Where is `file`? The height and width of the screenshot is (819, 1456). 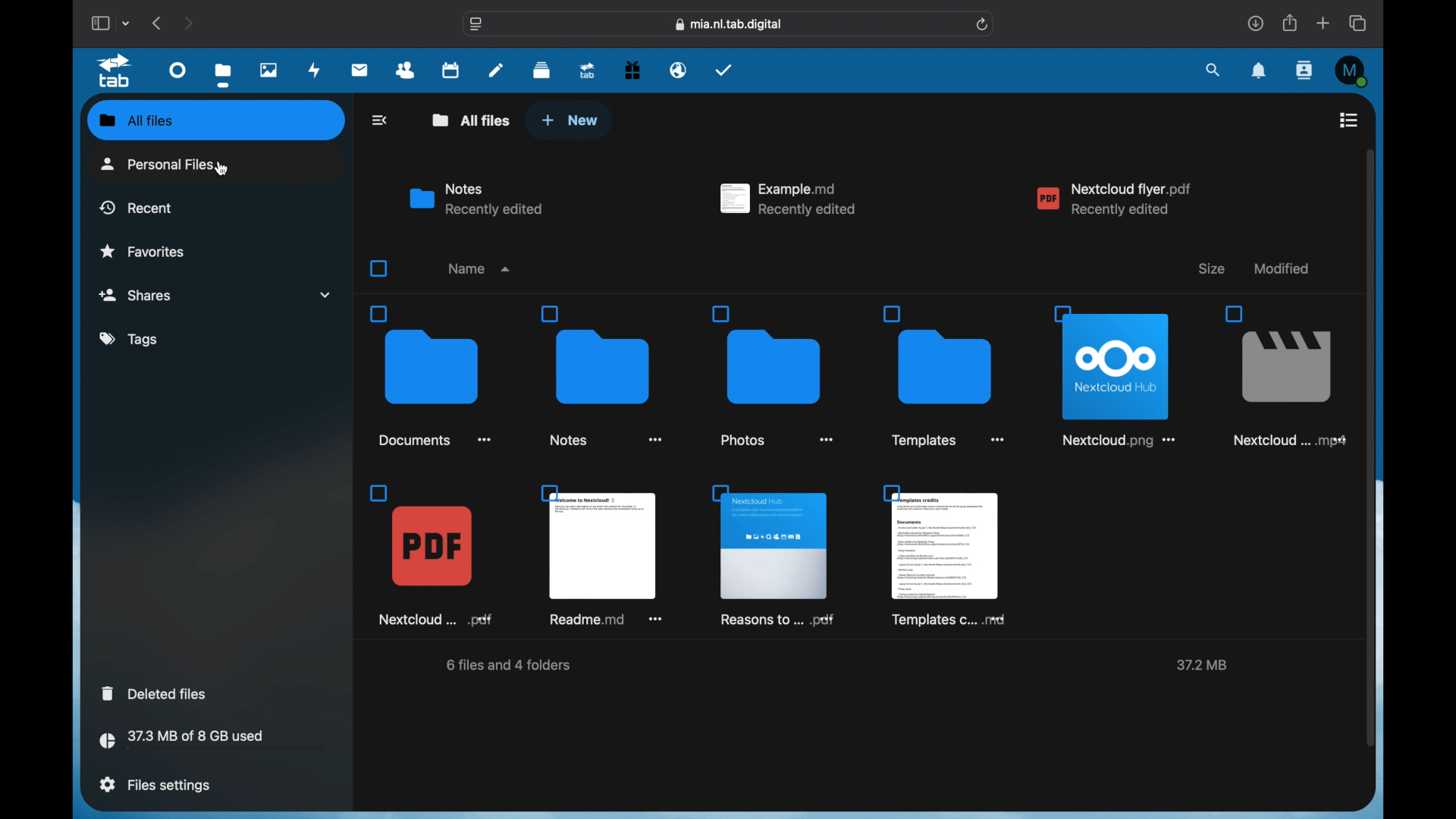
file is located at coordinates (1283, 375).